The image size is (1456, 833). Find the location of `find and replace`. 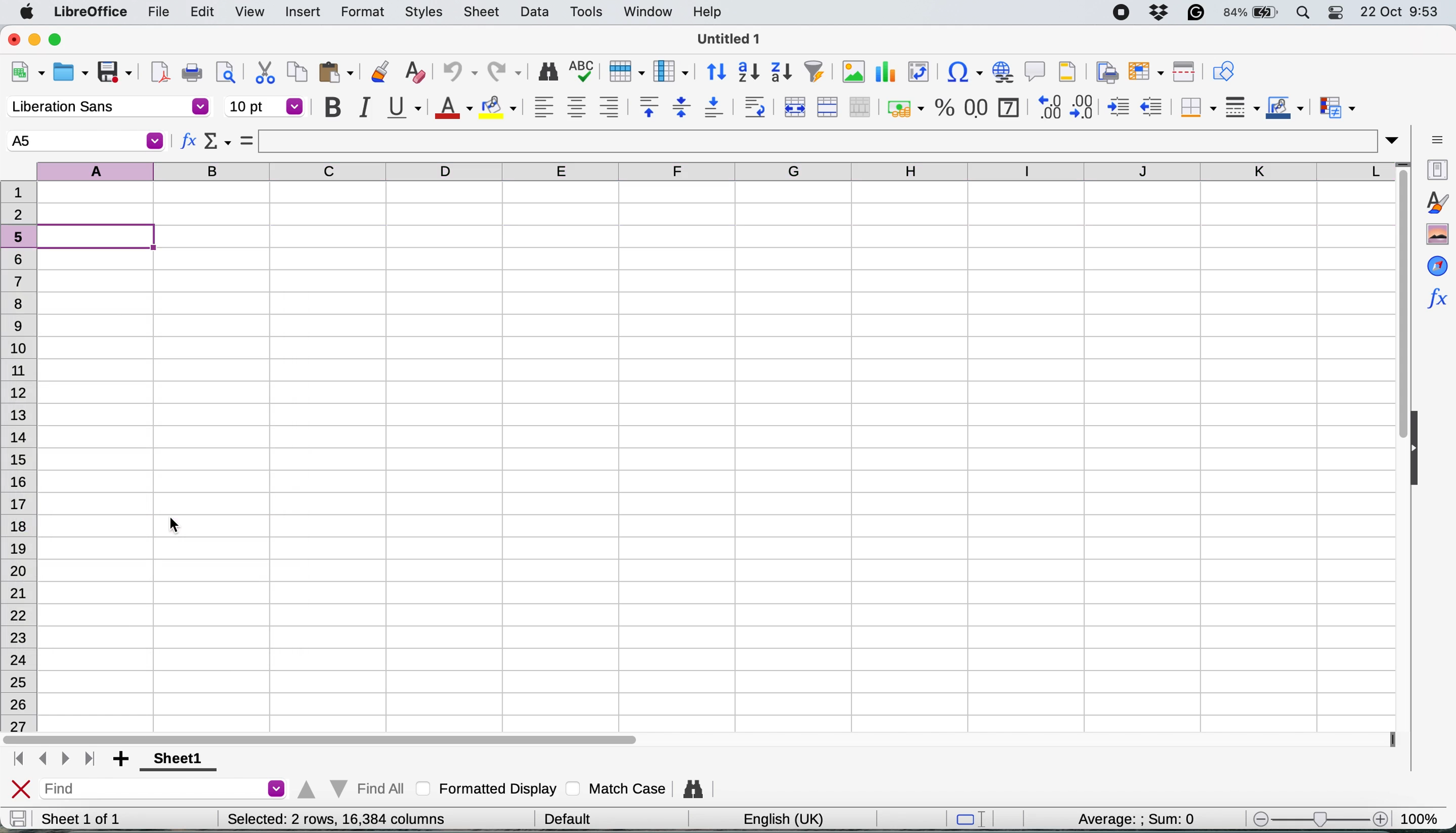

find and replace is located at coordinates (549, 72).